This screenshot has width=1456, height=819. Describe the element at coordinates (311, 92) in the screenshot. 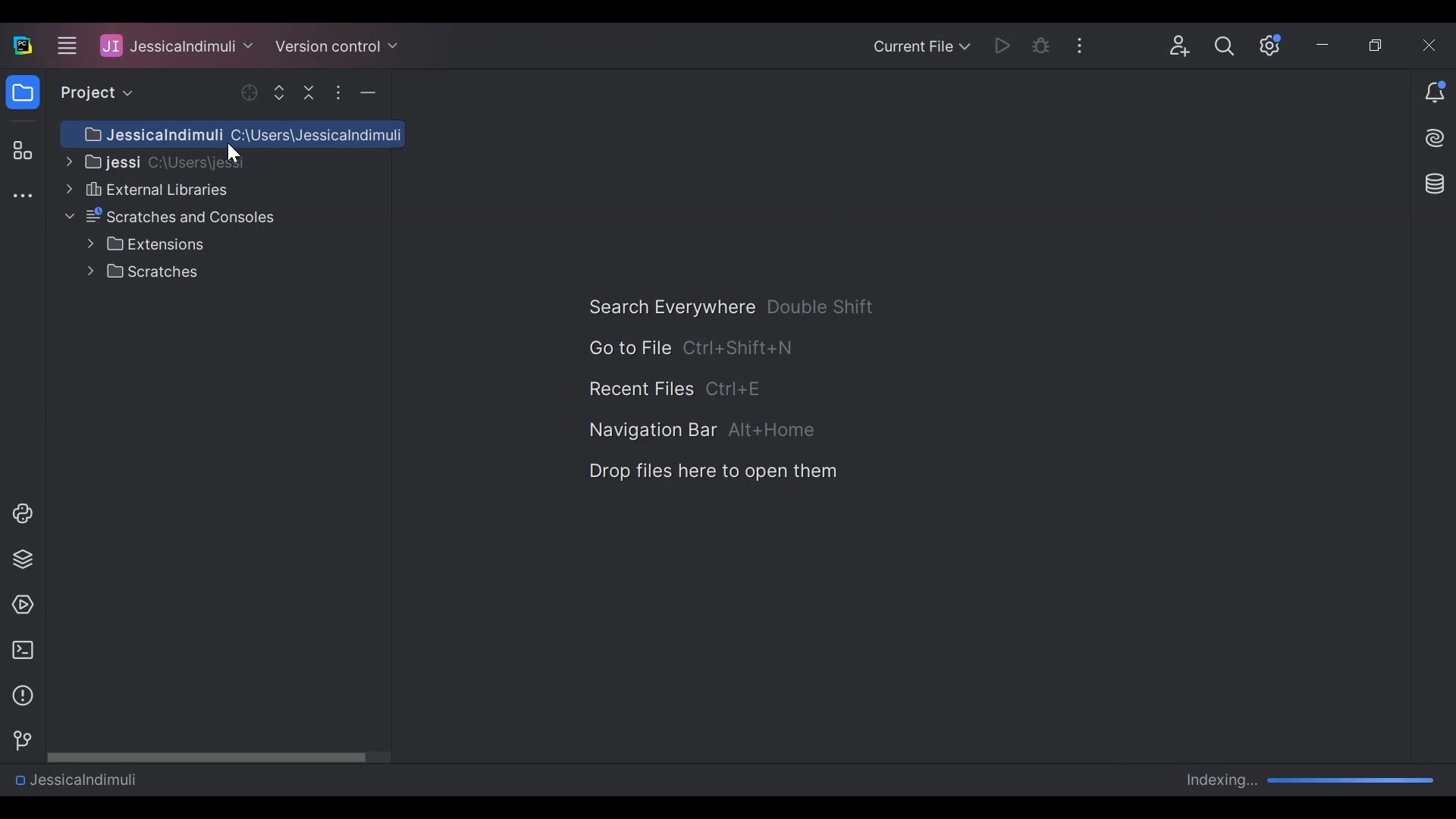

I see `Collapse All` at that location.